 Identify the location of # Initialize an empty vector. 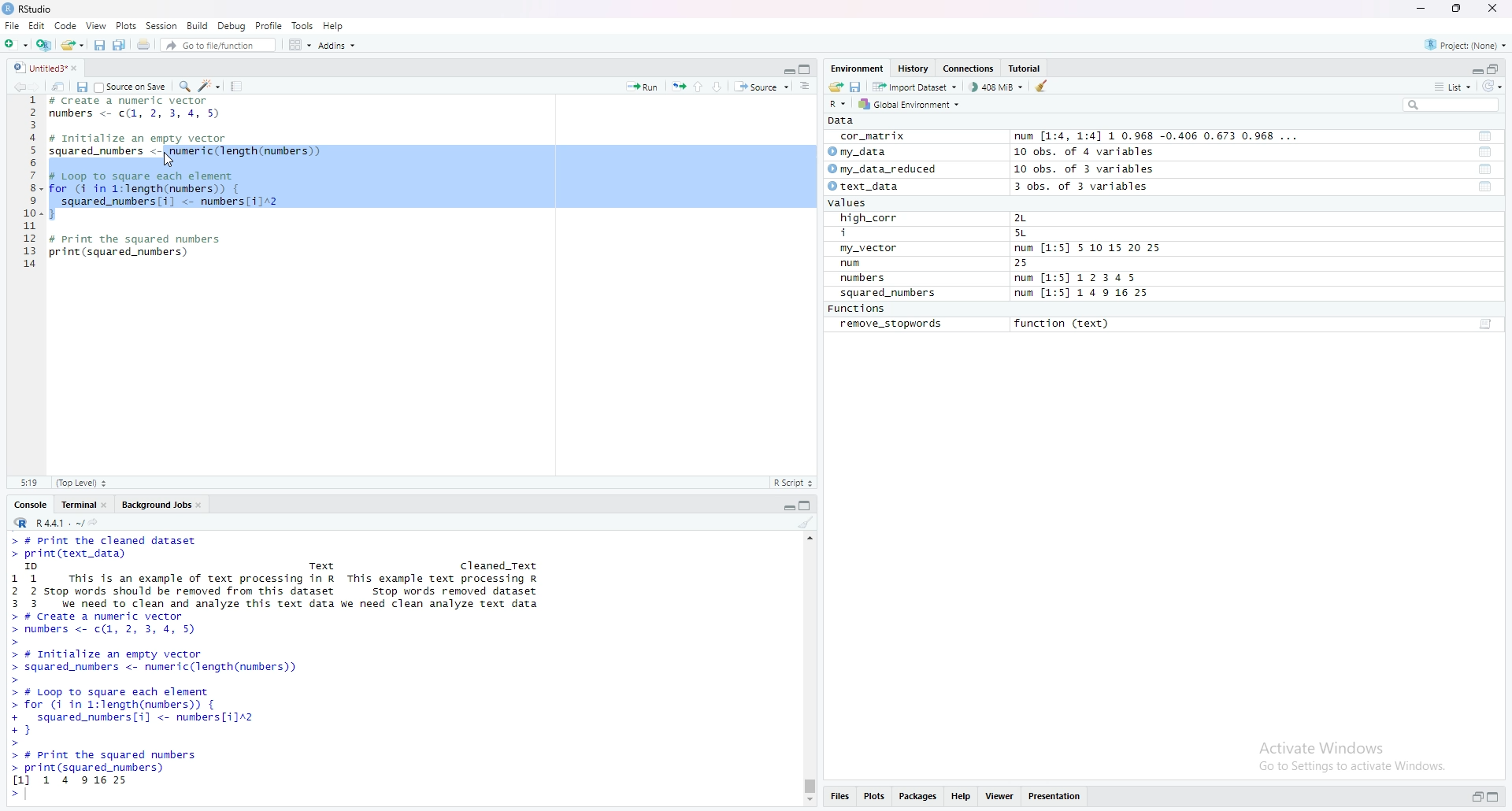
(143, 139).